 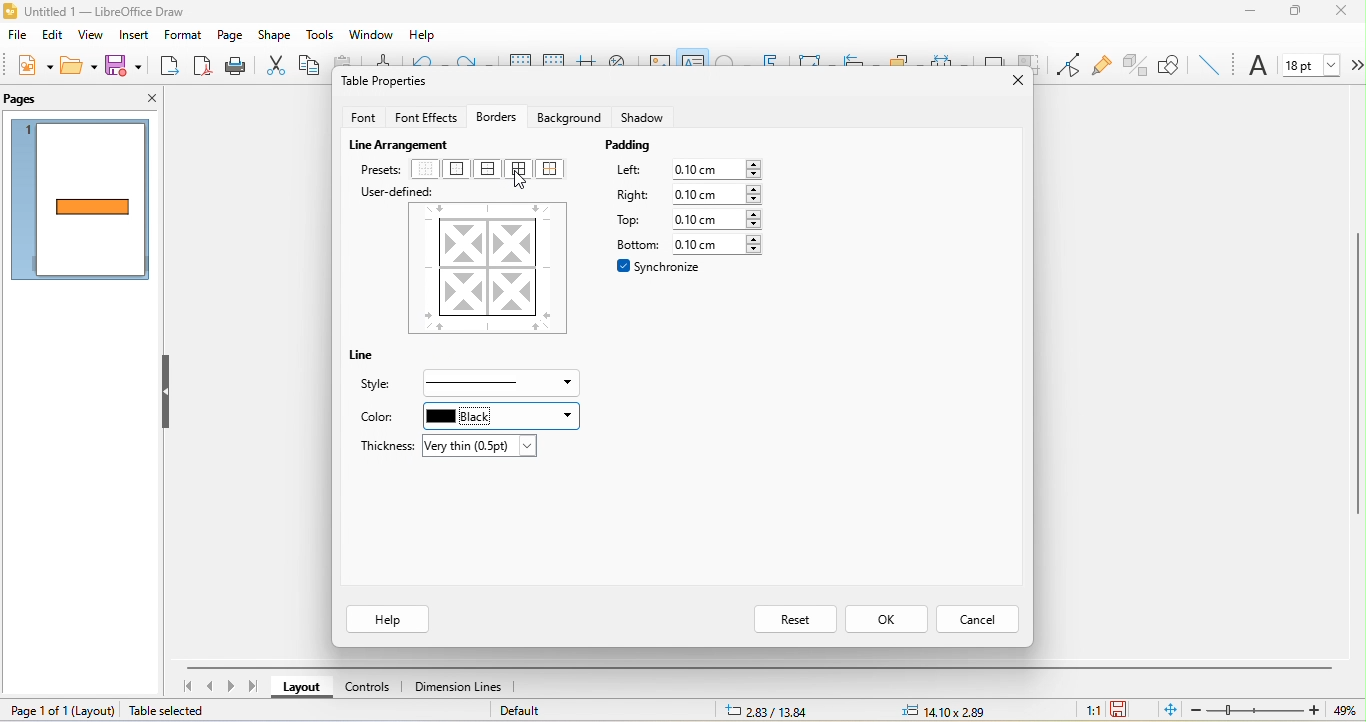 What do you see at coordinates (313, 66) in the screenshot?
I see `copy` at bounding box center [313, 66].